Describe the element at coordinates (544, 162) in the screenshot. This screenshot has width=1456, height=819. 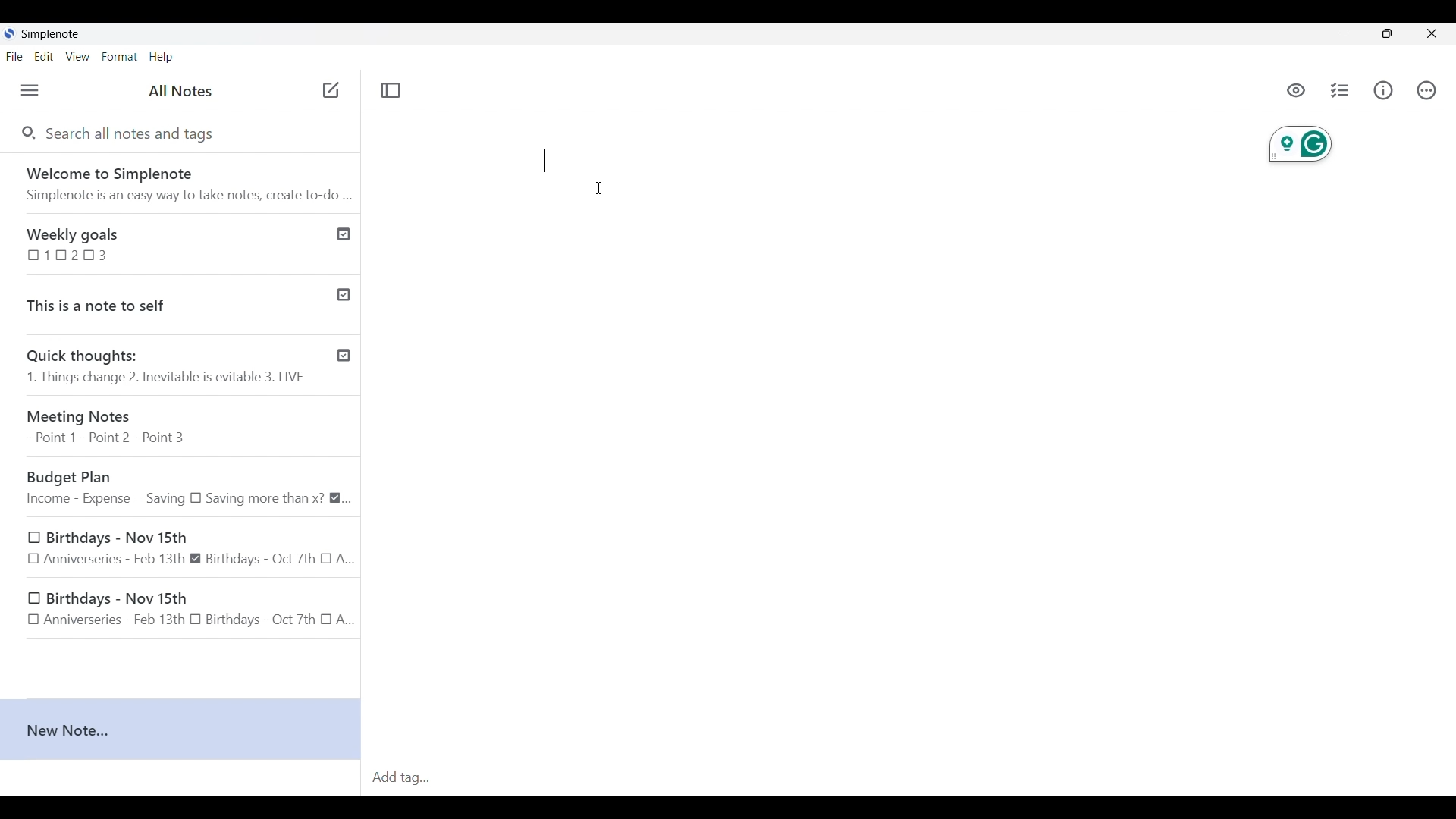
I see `input in new note` at that location.